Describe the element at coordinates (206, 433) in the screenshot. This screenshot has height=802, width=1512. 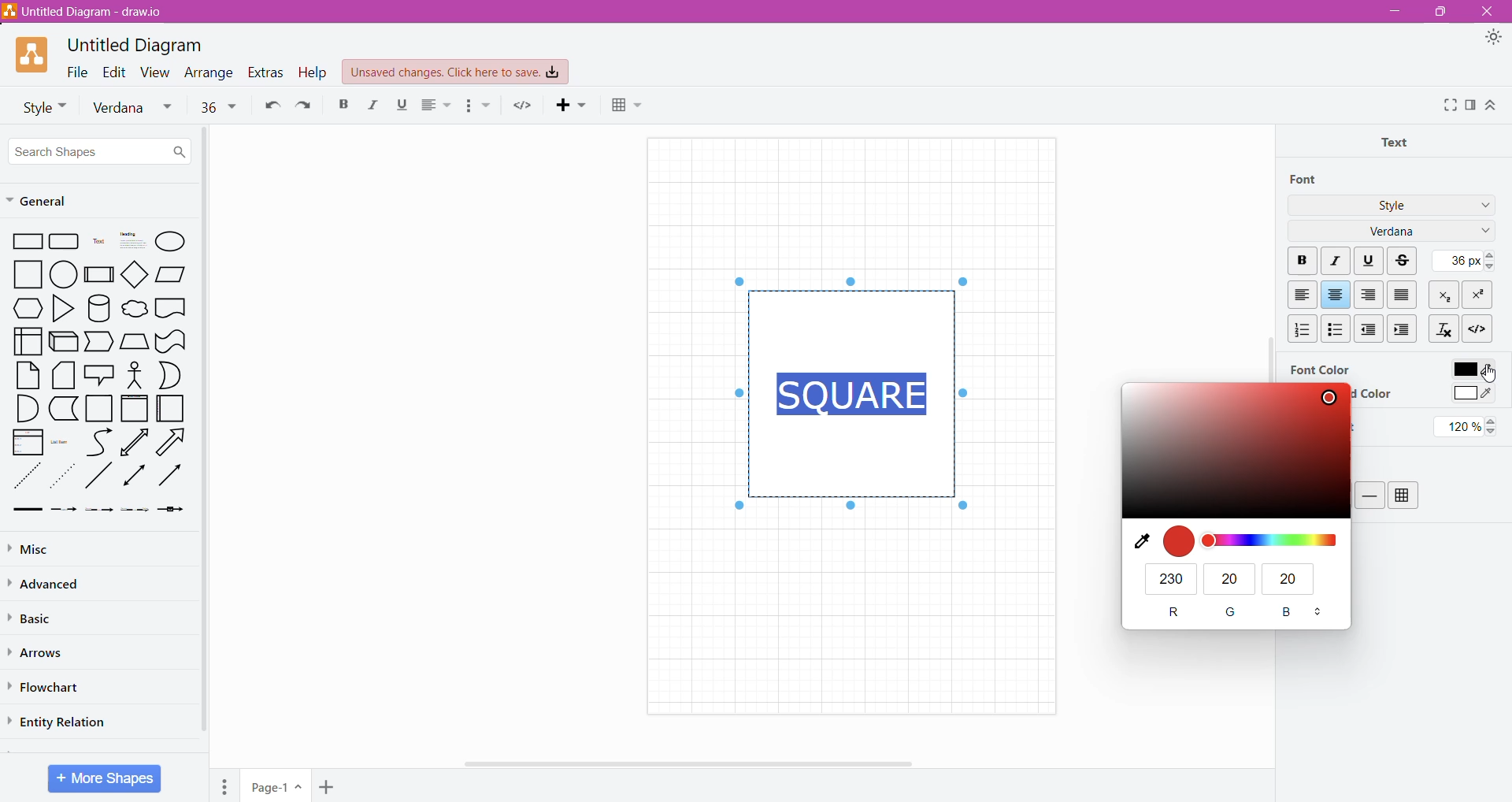
I see `Vertical Scroll Bar` at that location.